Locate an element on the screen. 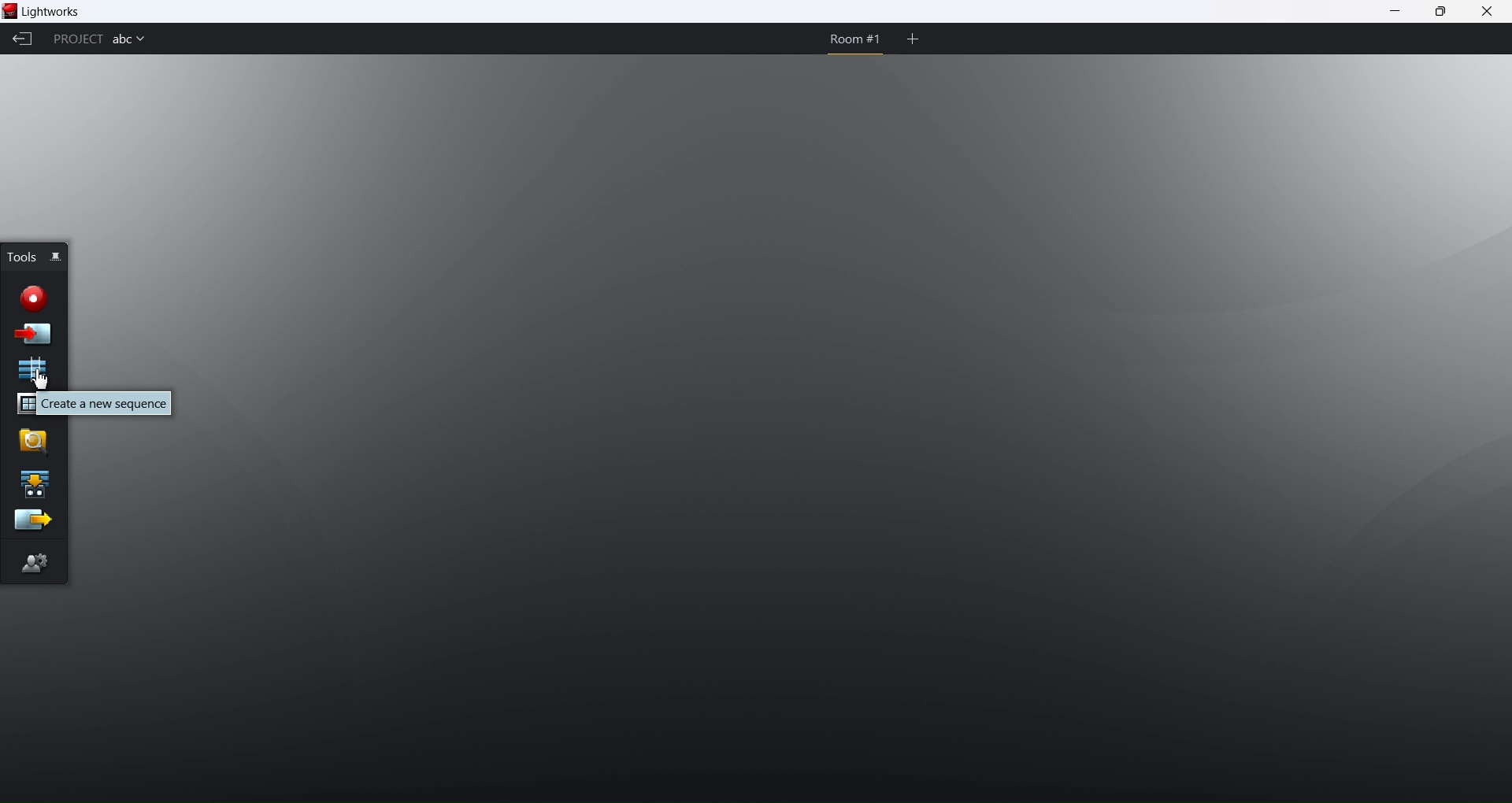 The height and width of the screenshot is (803, 1512). play a sequence is located at coordinates (35, 483).